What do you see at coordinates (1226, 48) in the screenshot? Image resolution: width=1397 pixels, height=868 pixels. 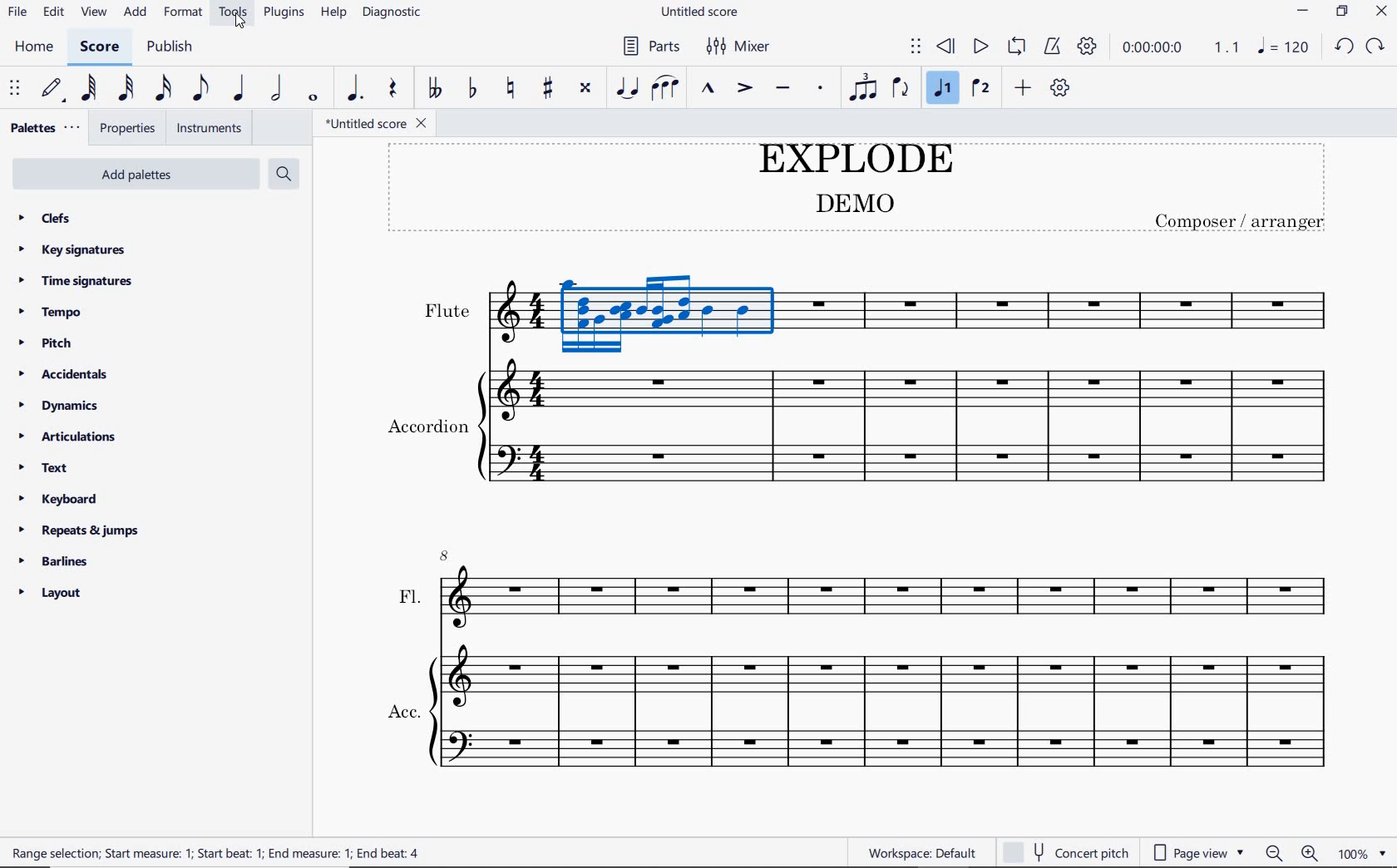 I see `Playback speed` at bounding box center [1226, 48].